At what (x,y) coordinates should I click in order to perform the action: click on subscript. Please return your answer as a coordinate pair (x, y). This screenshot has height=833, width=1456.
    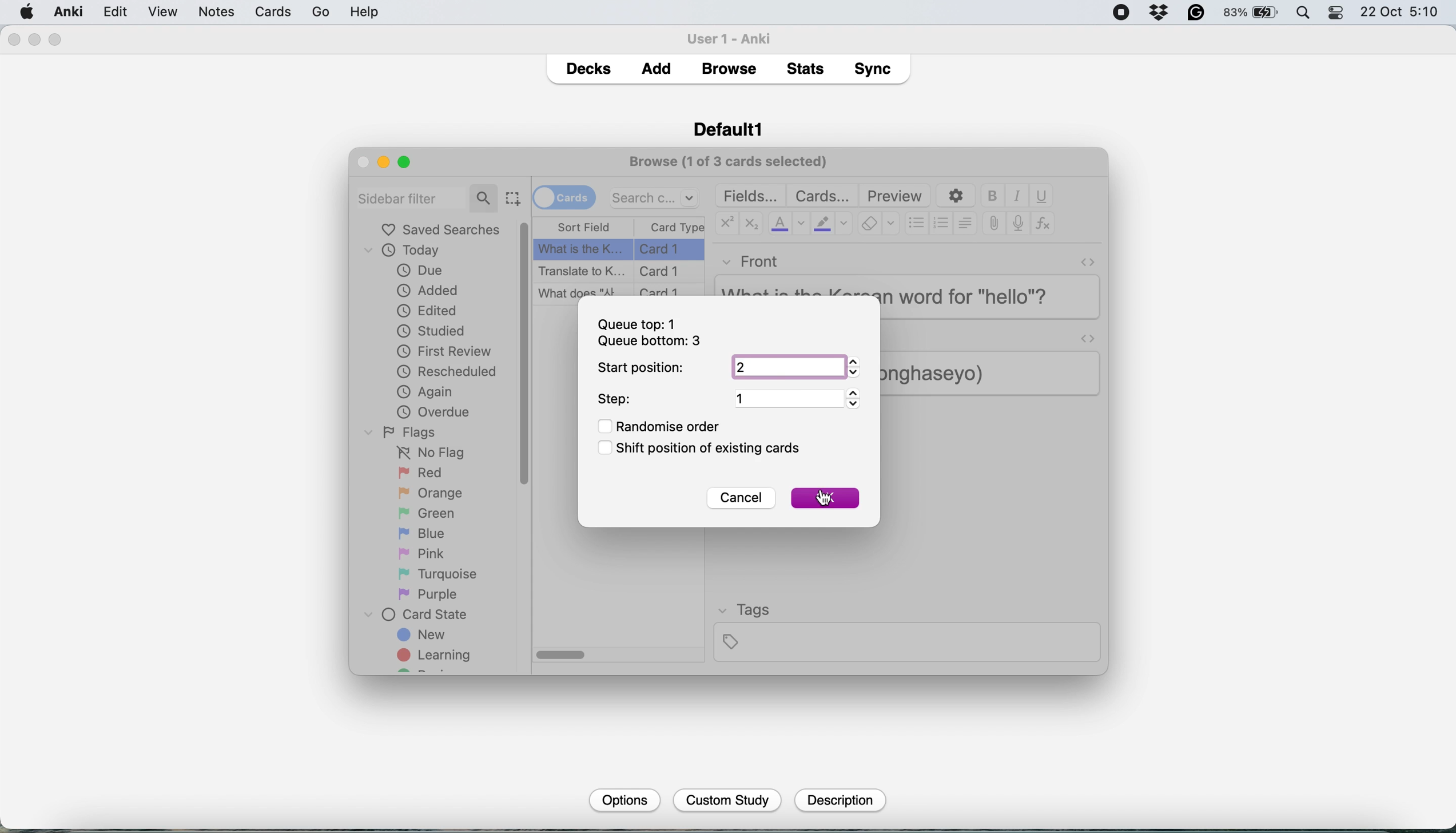
    Looking at the image, I should click on (749, 225).